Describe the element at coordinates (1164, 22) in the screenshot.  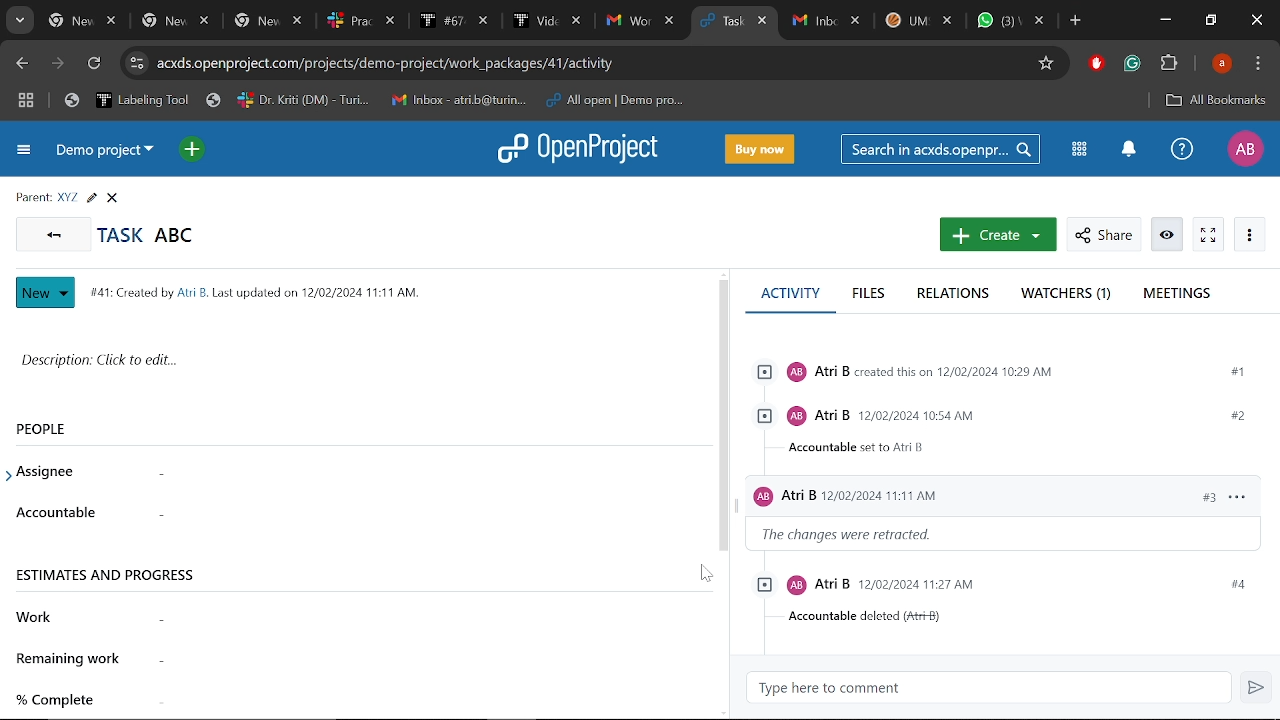
I see `Minimize` at that location.